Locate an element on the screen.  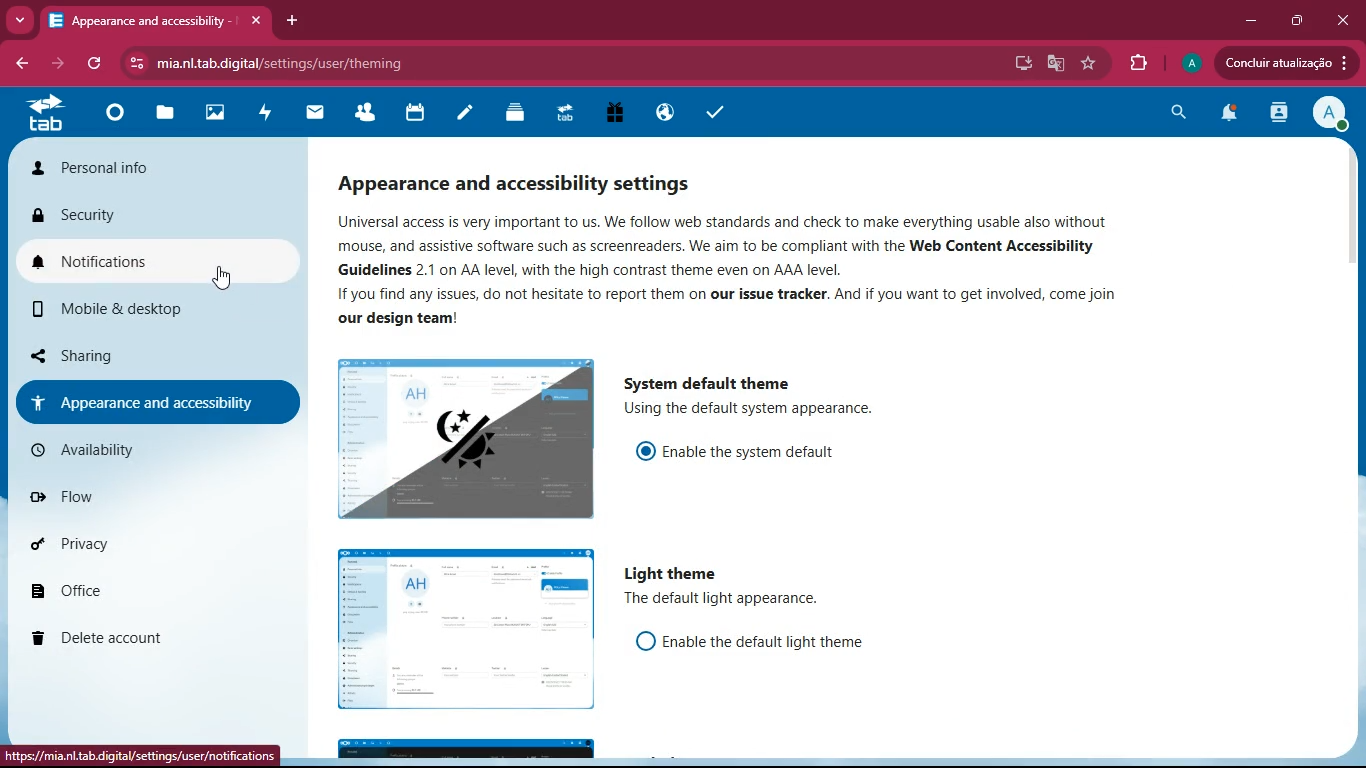
home is located at coordinates (111, 122).